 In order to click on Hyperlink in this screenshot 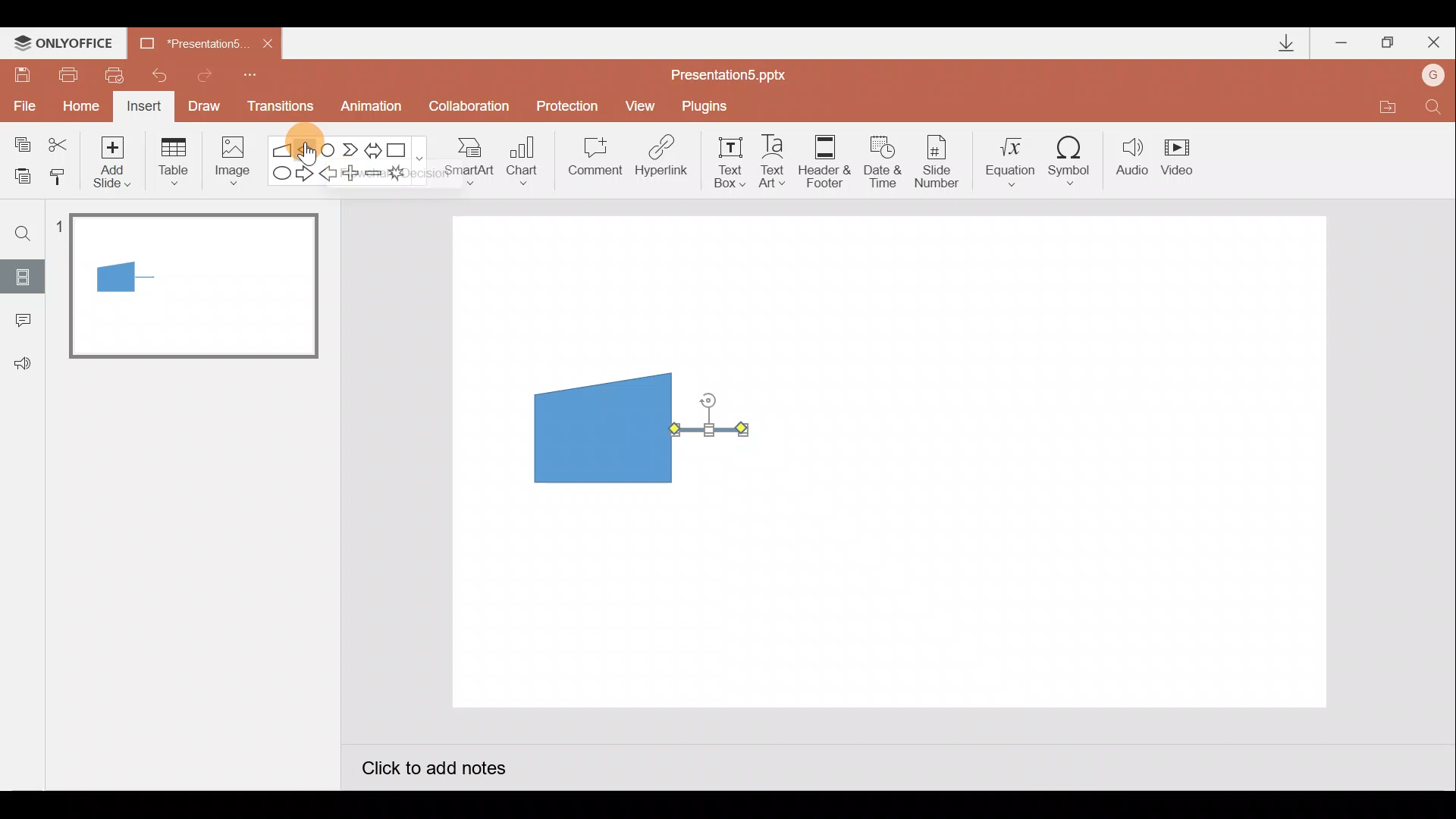, I will do `click(663, 161)`.